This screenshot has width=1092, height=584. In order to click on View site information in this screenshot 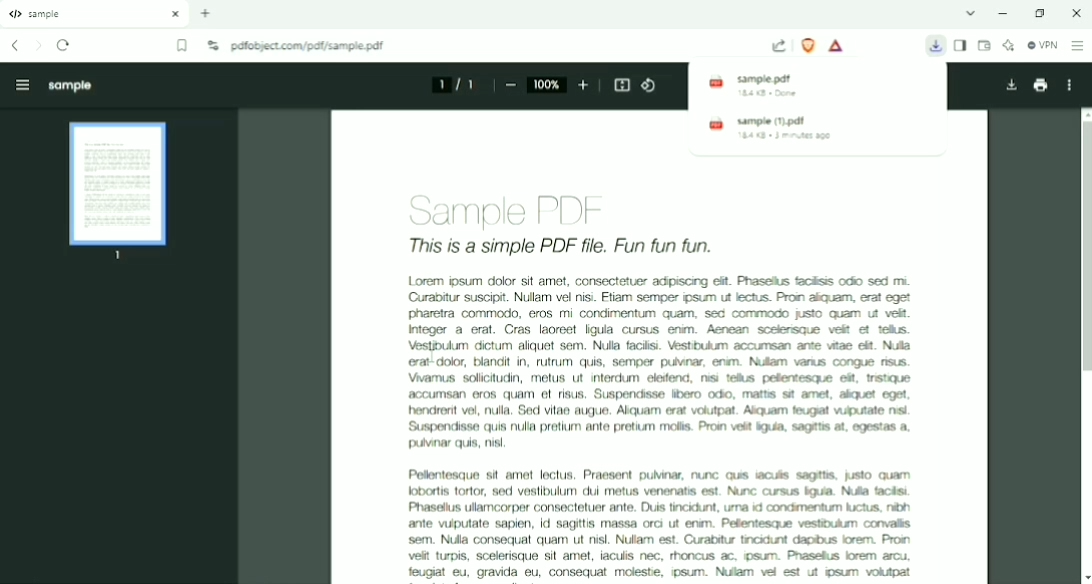, I will do `click(212, 46)`.